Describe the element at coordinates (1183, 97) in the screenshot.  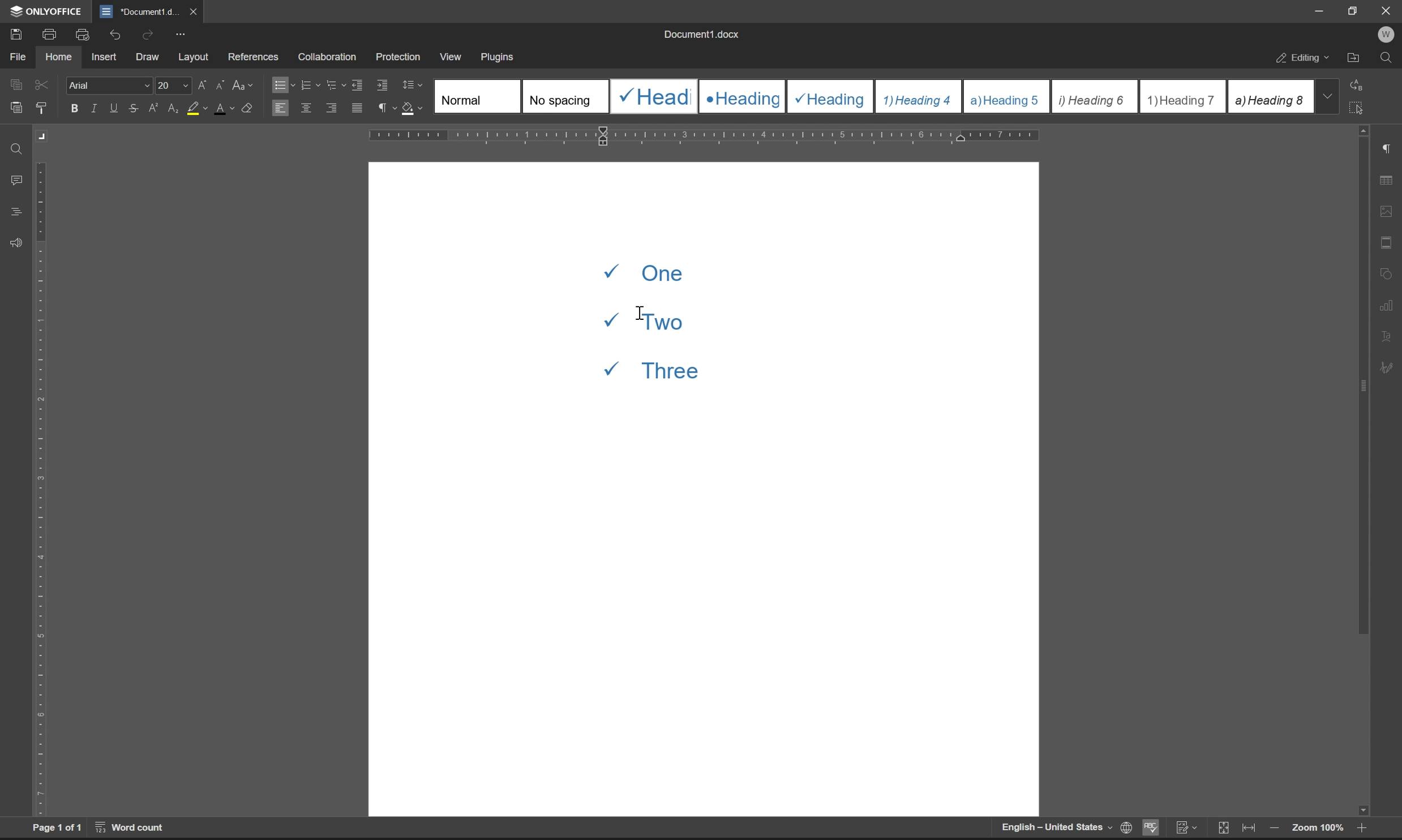
I see `Heading 7` at that location.